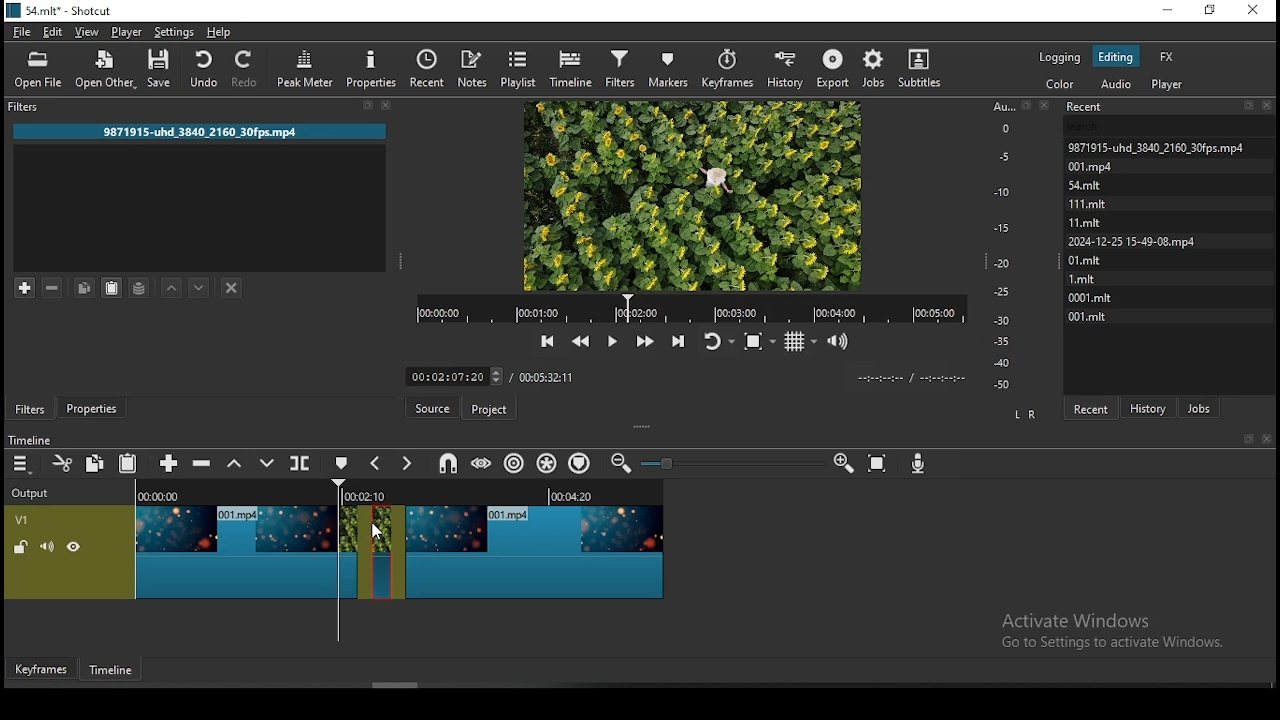  I want to click on undo, so click(203, 68).